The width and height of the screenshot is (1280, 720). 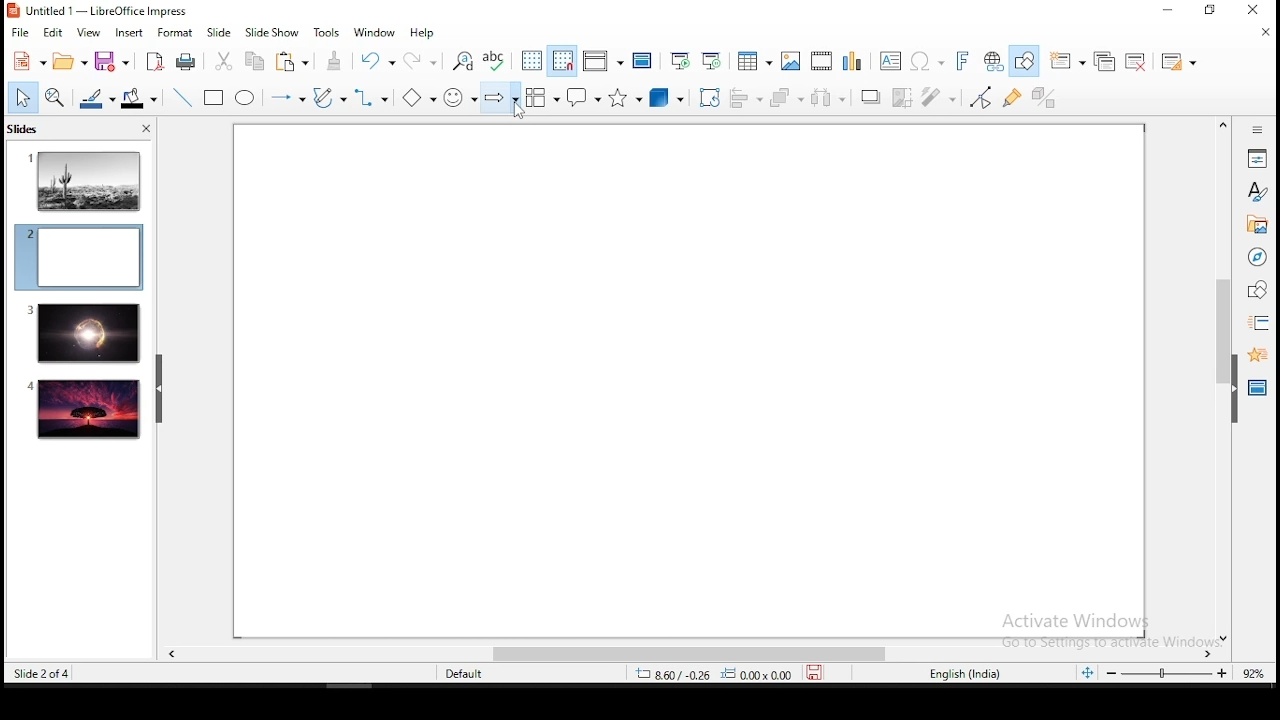 What do you see at coordinates (1257, 191) in the screenshot?
I see `styles` at bounding box center [1257, 191].